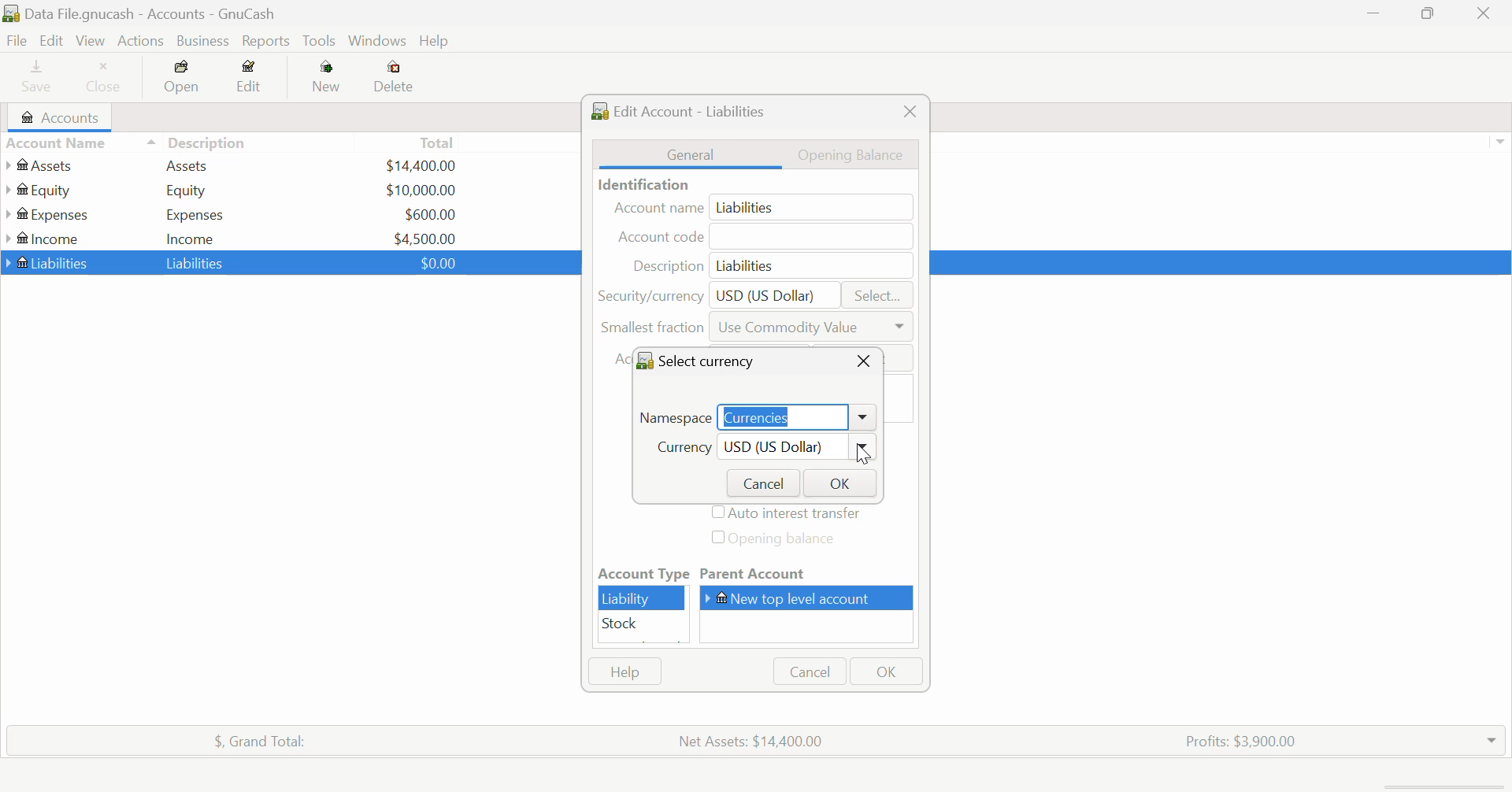  Describe the element at coordinates (1430, 15) in the screenshot. I see `Minimize` at that location.